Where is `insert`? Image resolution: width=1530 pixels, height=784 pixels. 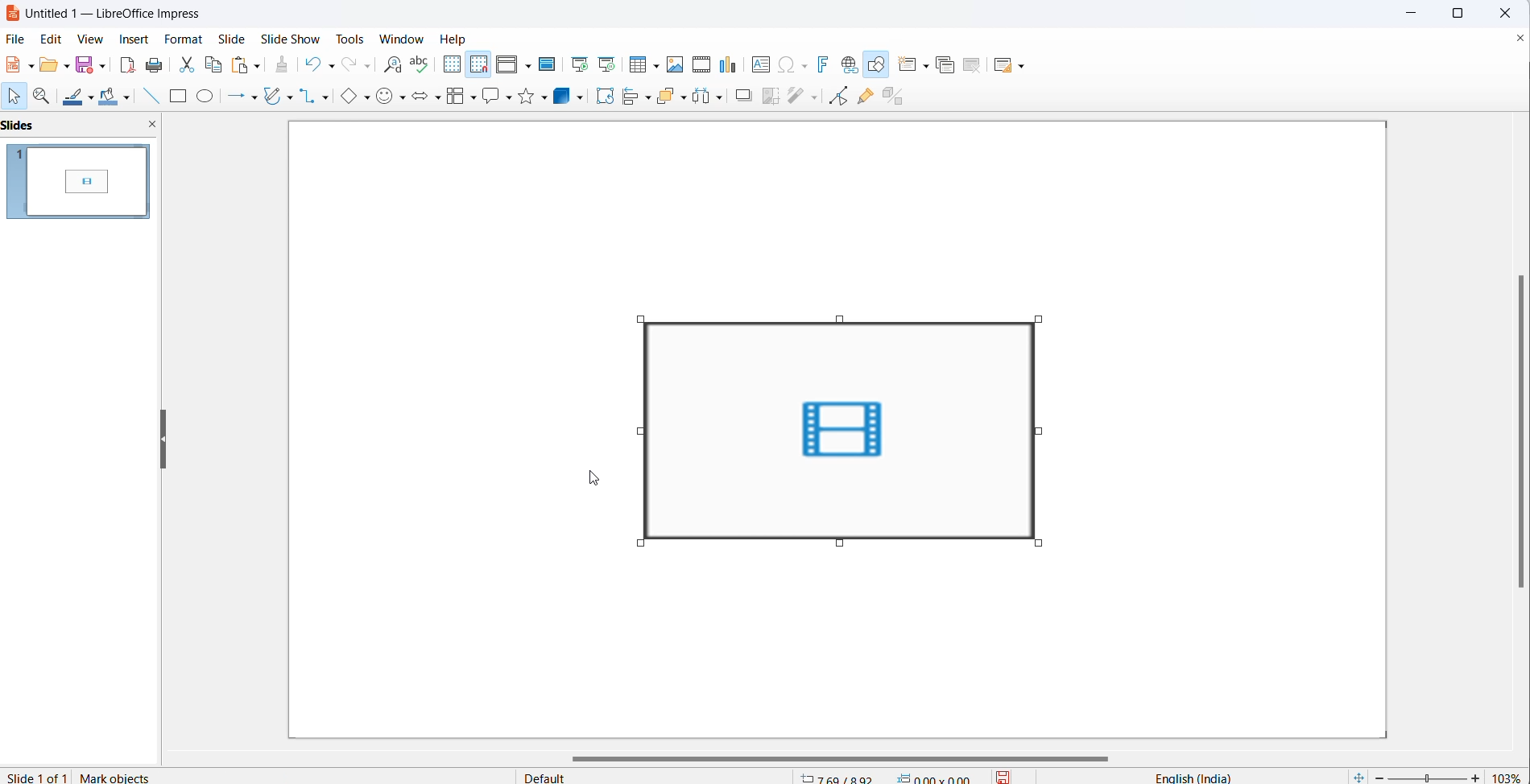 insert is located at coordinates (134, 38).